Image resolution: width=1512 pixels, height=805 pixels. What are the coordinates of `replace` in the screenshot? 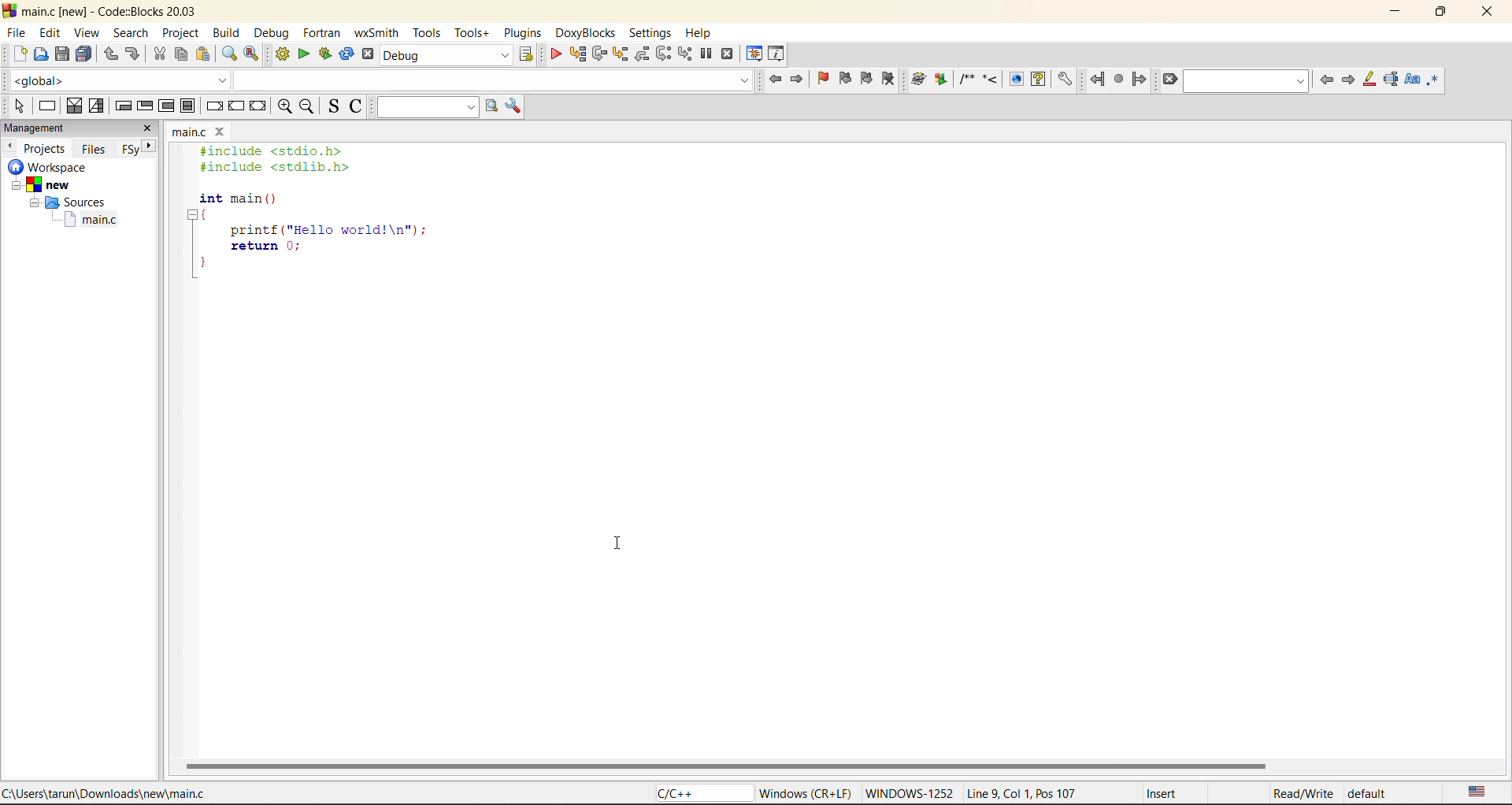 It's located at (254, 54).